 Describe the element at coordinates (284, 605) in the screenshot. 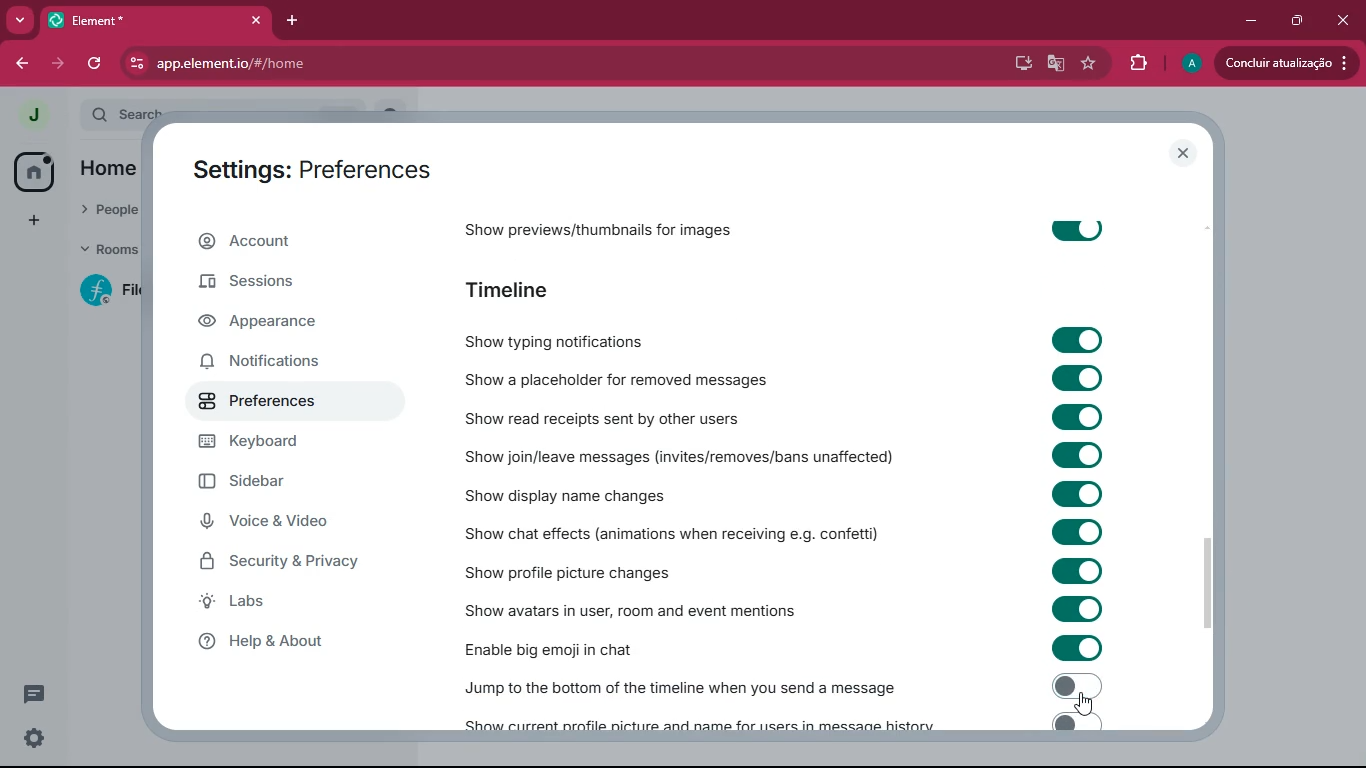

I see `labs` at that location.